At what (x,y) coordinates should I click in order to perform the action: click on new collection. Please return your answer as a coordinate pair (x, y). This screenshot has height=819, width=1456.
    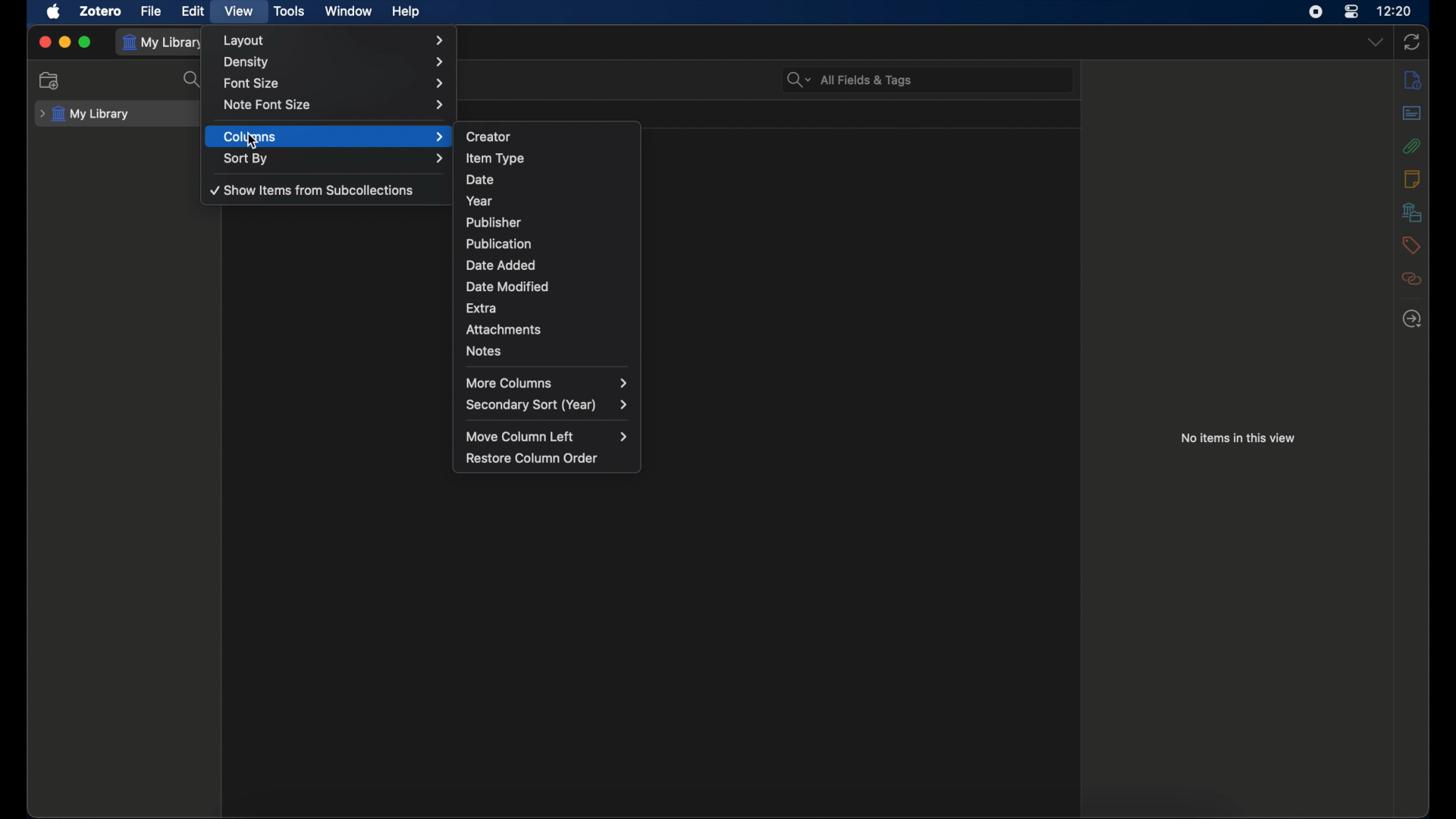
    Looking at the image, I should click on (49, 80).